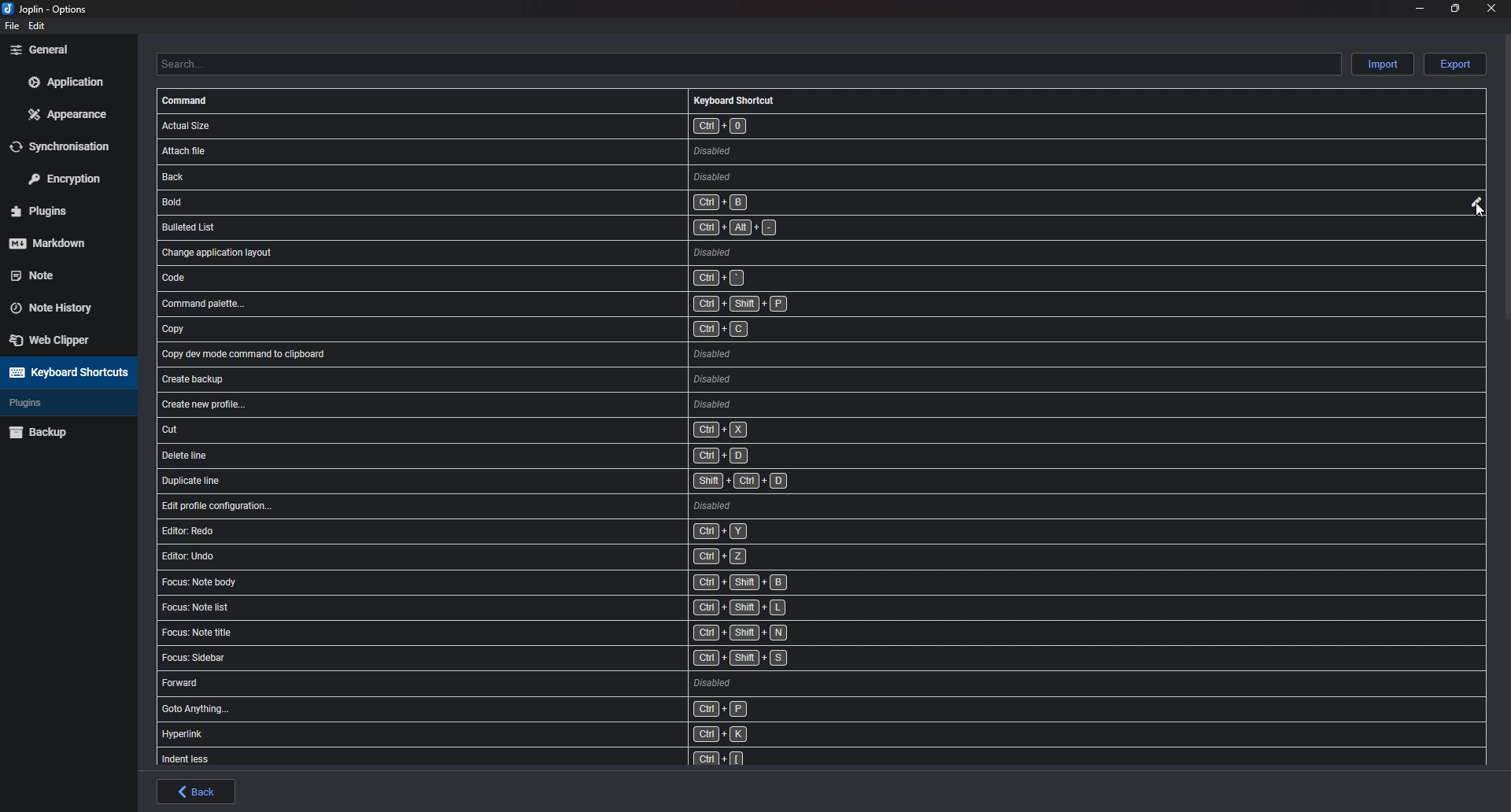 This screenshot has width=1511, height=812. Describe the element at coordinates (531, 430) in the screenshot. I see `shortcut` at that location.